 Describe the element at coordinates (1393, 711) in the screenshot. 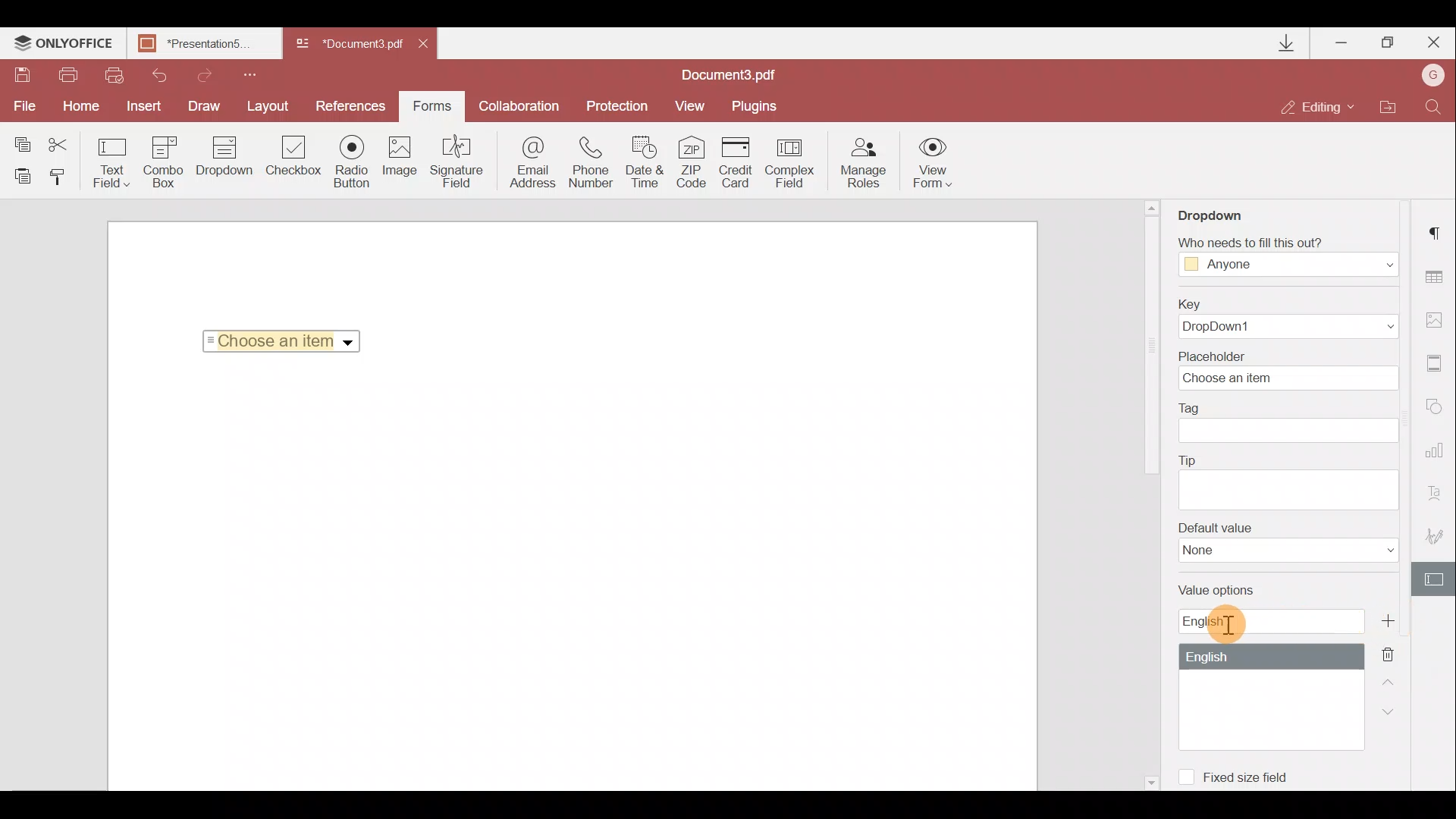

I see `Down` at that location.